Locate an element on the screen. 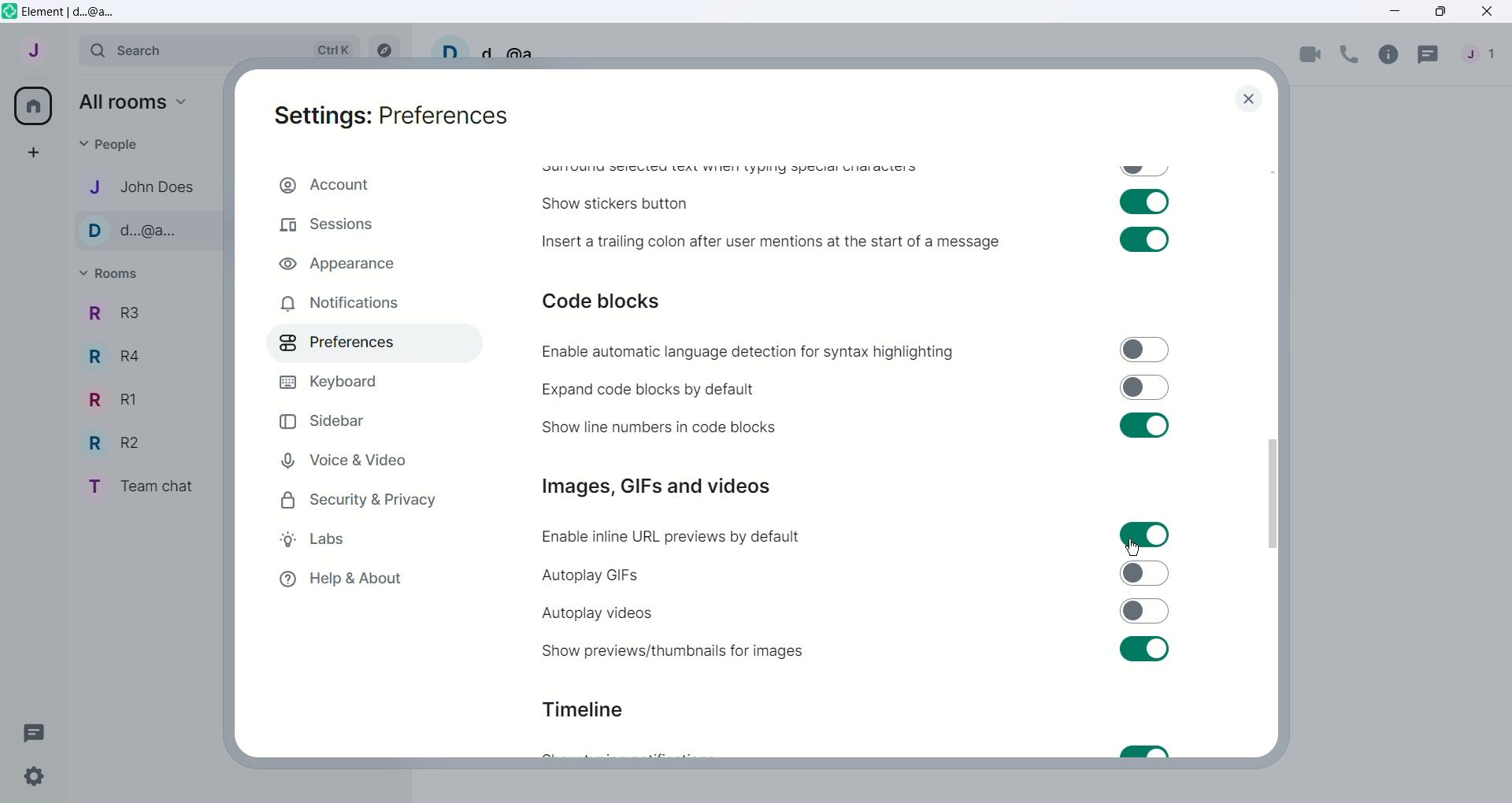 The width and height of the screenshot is (1512, 803). Insert a trailing colon after user mentions at the start of a message is located at coordinates (773, 242).